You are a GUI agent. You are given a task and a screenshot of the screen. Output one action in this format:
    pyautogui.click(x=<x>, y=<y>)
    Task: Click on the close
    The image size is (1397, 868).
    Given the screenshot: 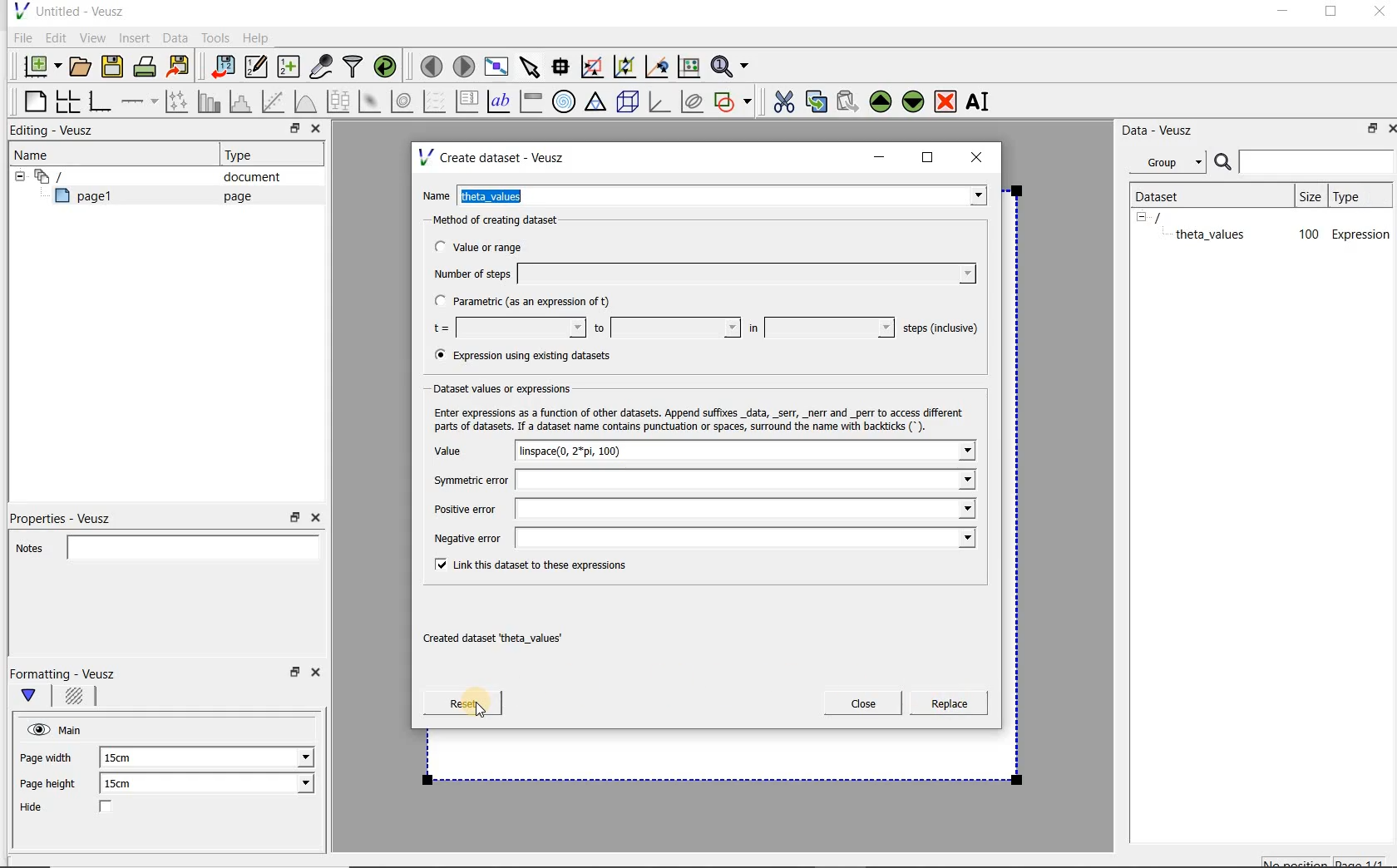 What is the action you would take?
    pyautogui.click(x=982, y=156)
    